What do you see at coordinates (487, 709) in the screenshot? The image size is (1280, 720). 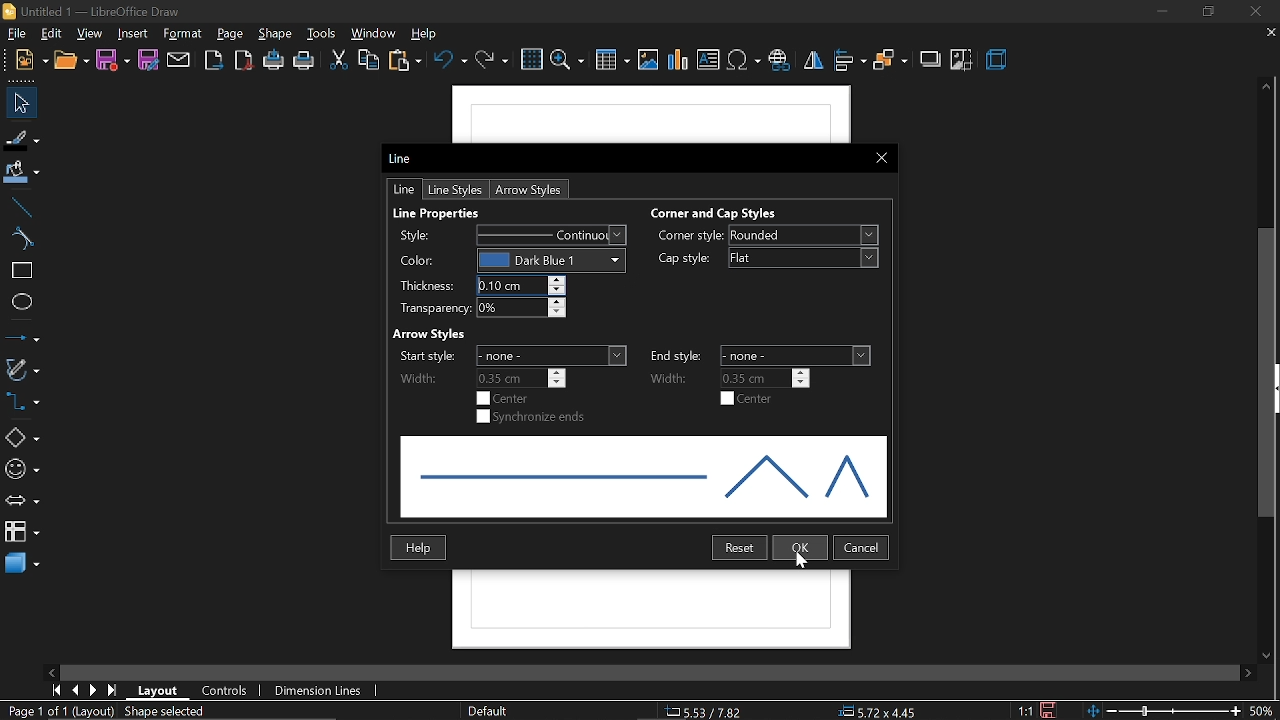 I see `page style` at bounding box center [487, 709].